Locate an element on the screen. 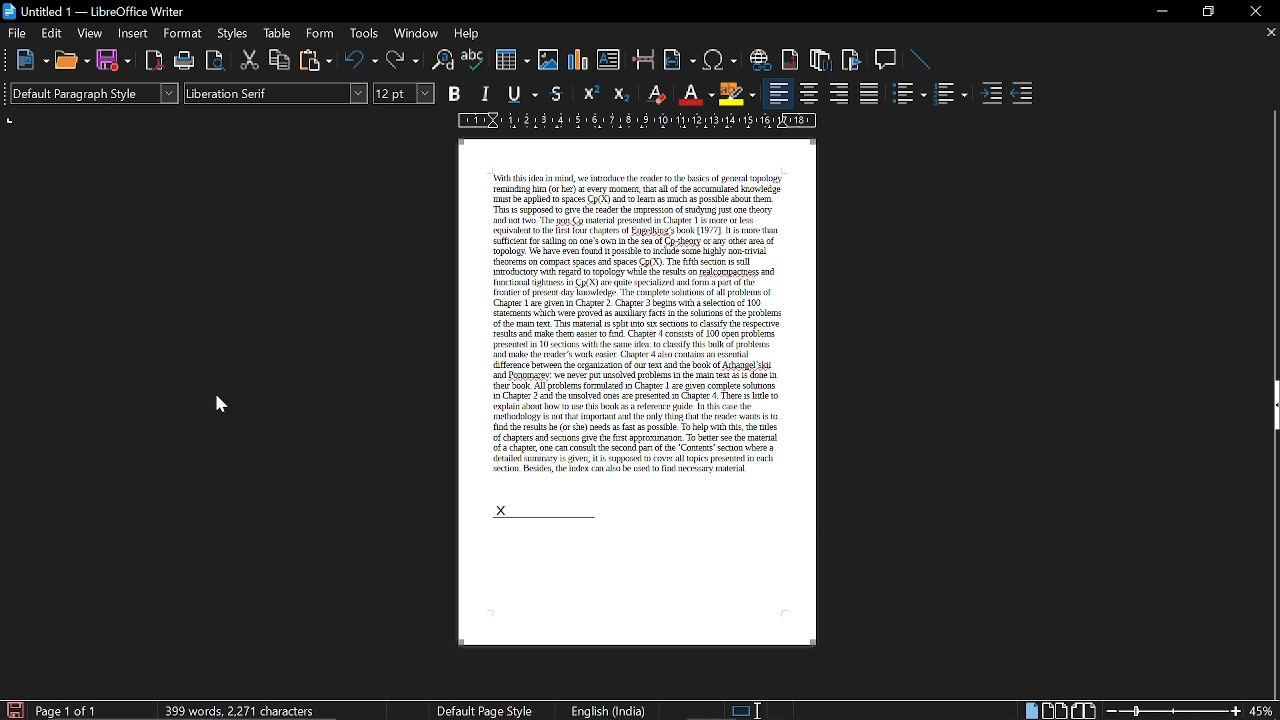  form is located at coordinates (323, 34).